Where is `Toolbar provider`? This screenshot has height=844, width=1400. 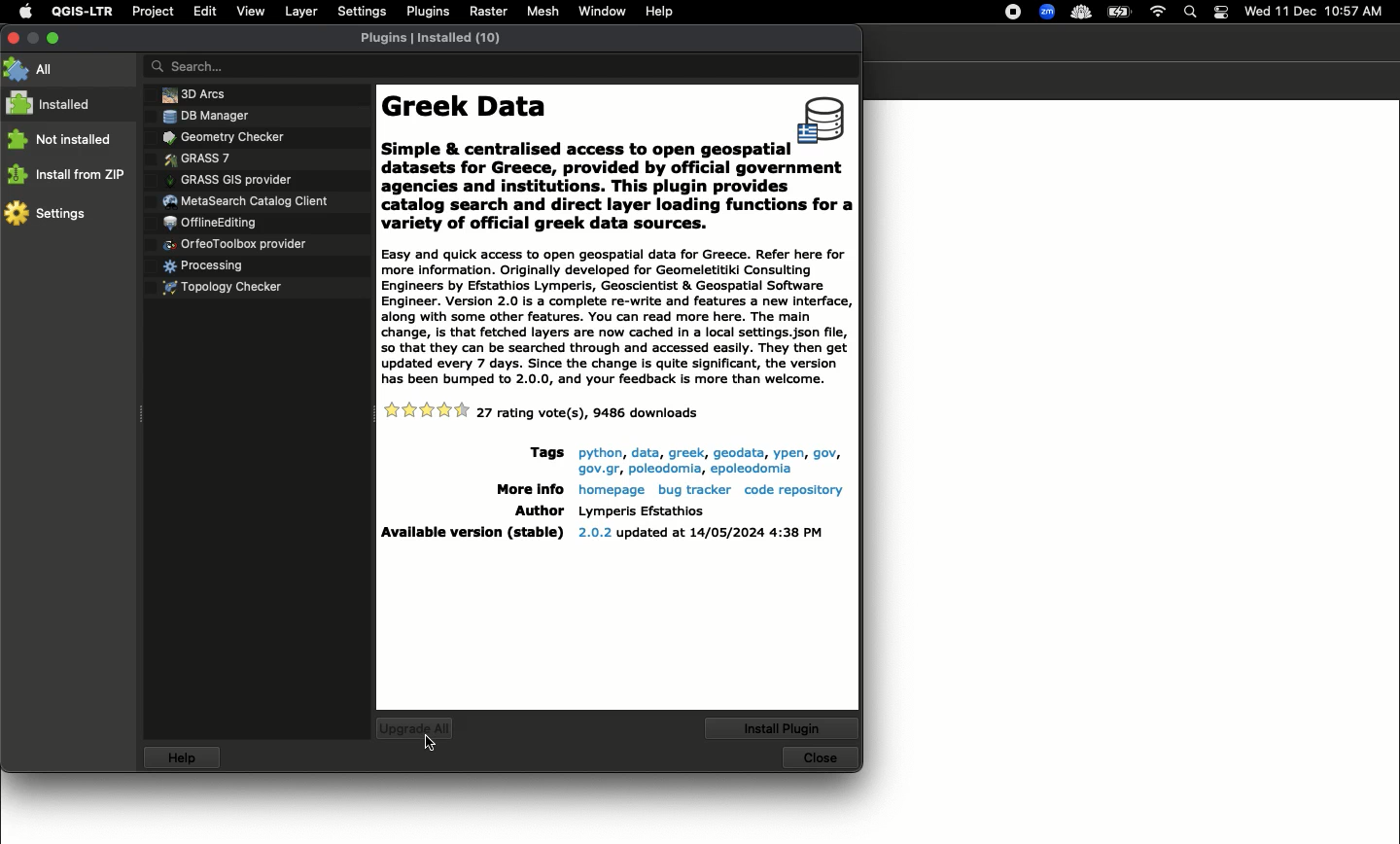 Toolbar provider is located at coordinates (238, 243).